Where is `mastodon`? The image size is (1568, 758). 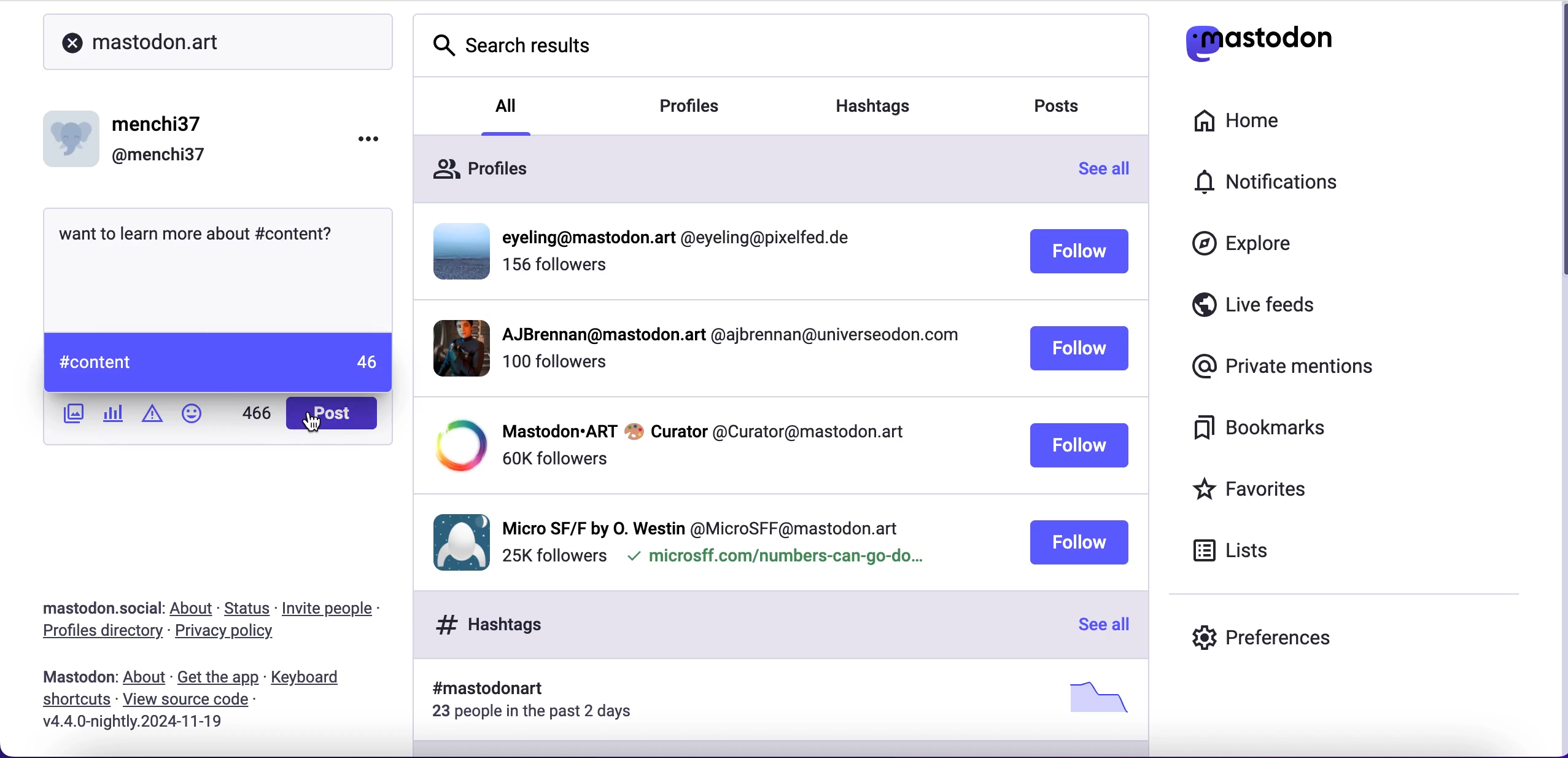
mastodon is located at coordinates (74, 678).